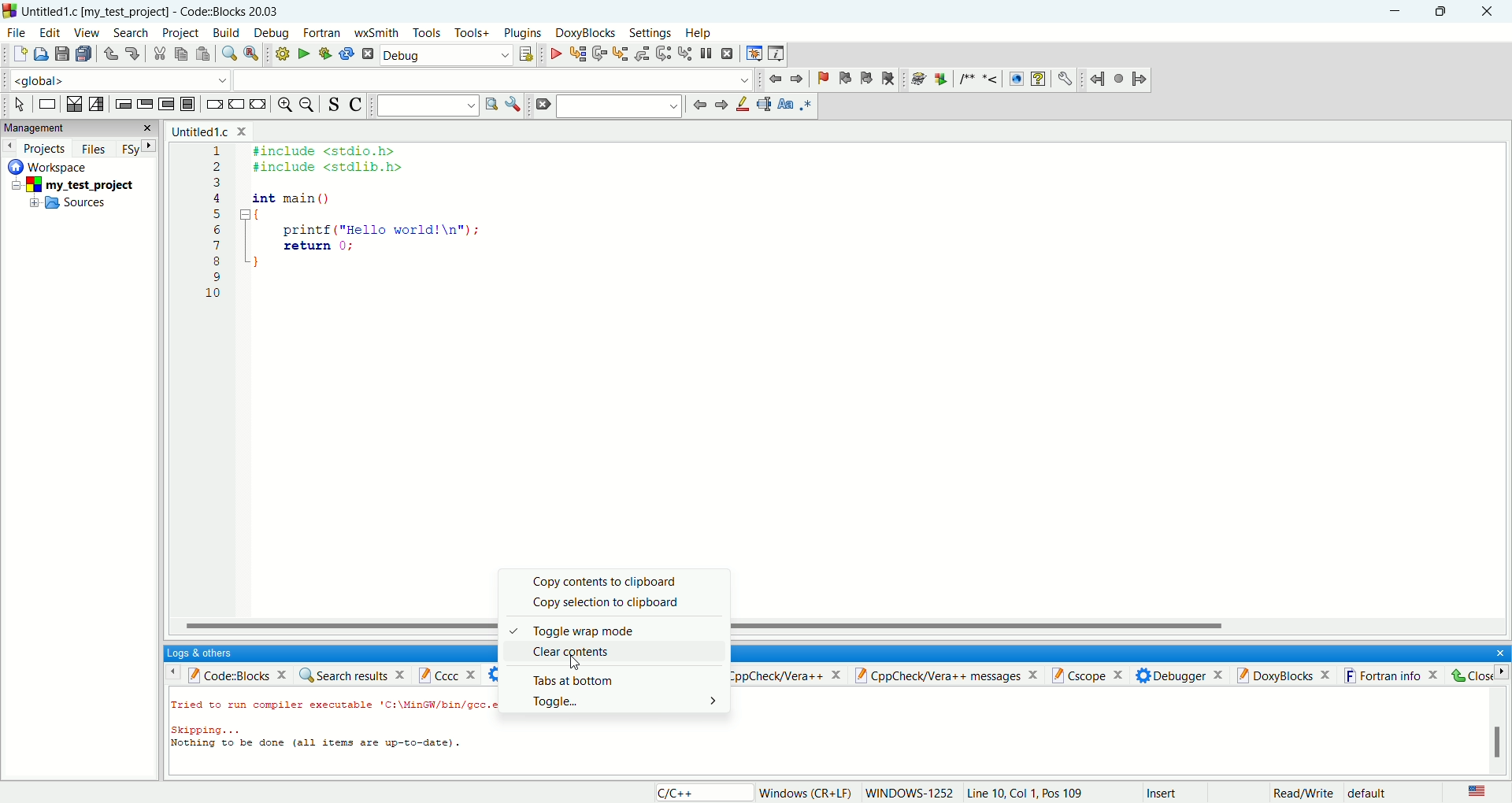 The width and height of the screenshot is (1512, 803). What do you see at coordinates (664, 53) in the screenshot?
I see `next instruction` at bounding box center [664, 53].